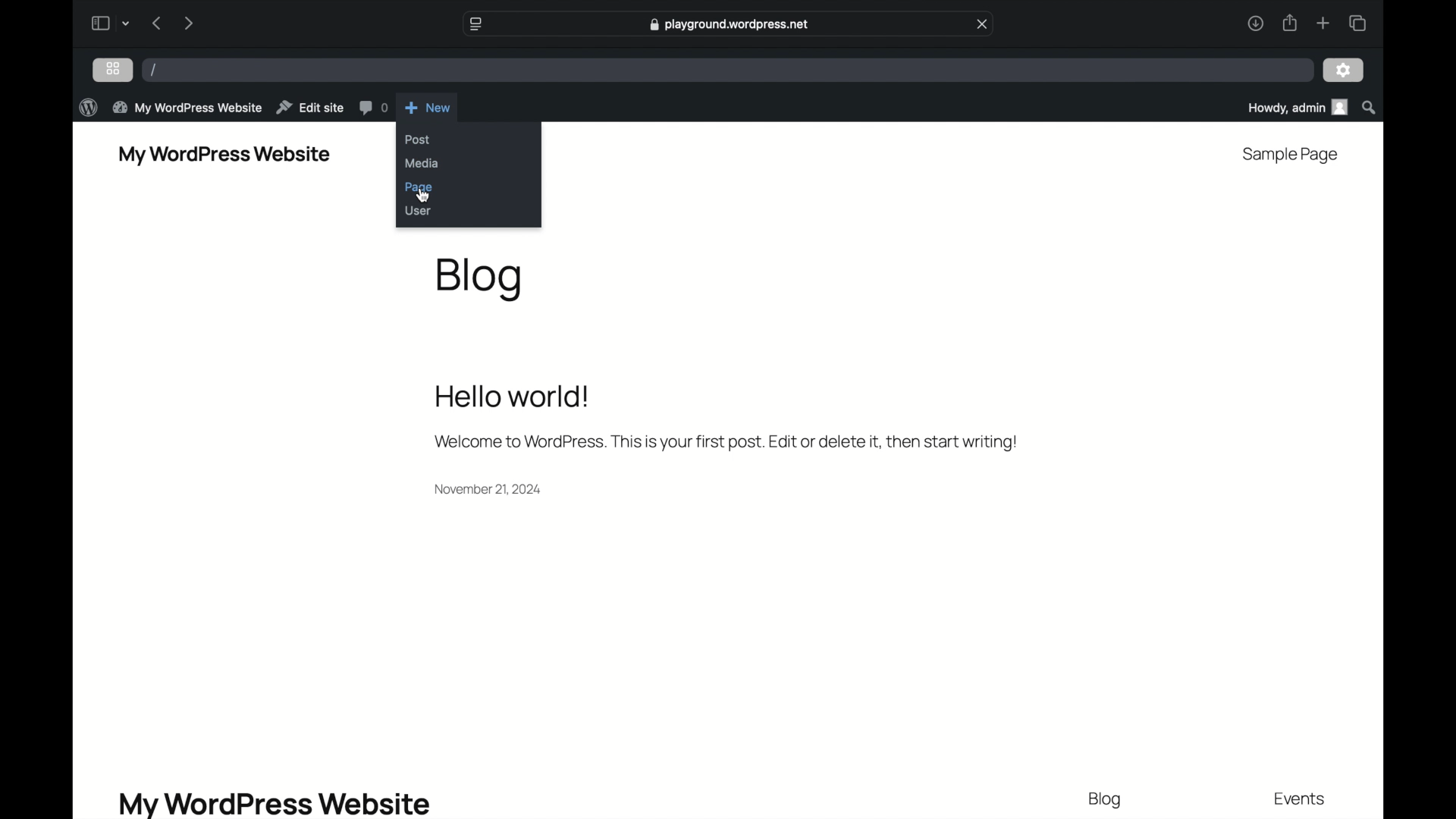 This screenshot has height=819, width=1456. I want to click on grid view, so click(113, 68).